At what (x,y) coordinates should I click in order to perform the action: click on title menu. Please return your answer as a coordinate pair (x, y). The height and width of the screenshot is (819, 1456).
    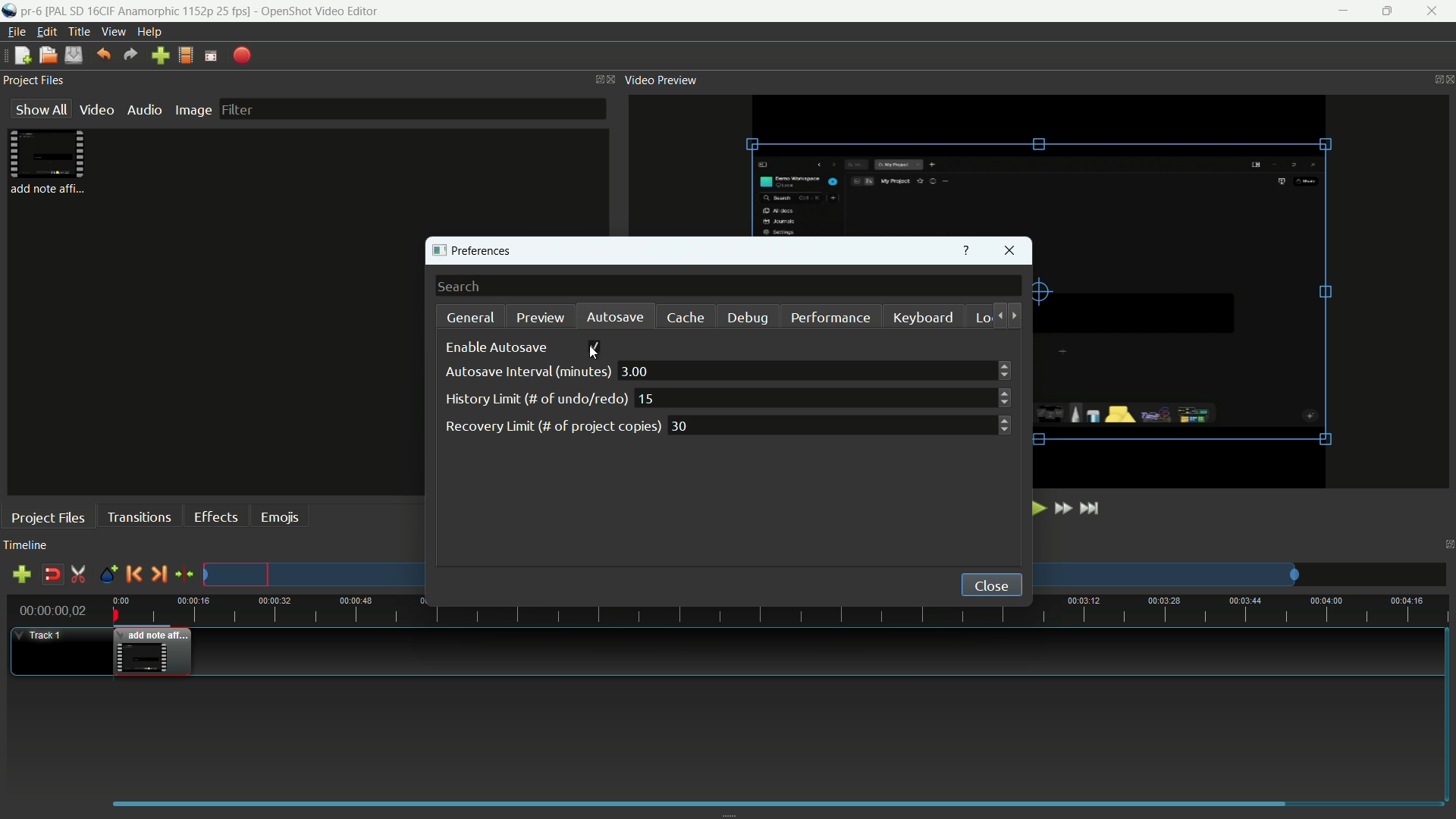
    Looking at the image, I should click on (79, 33).